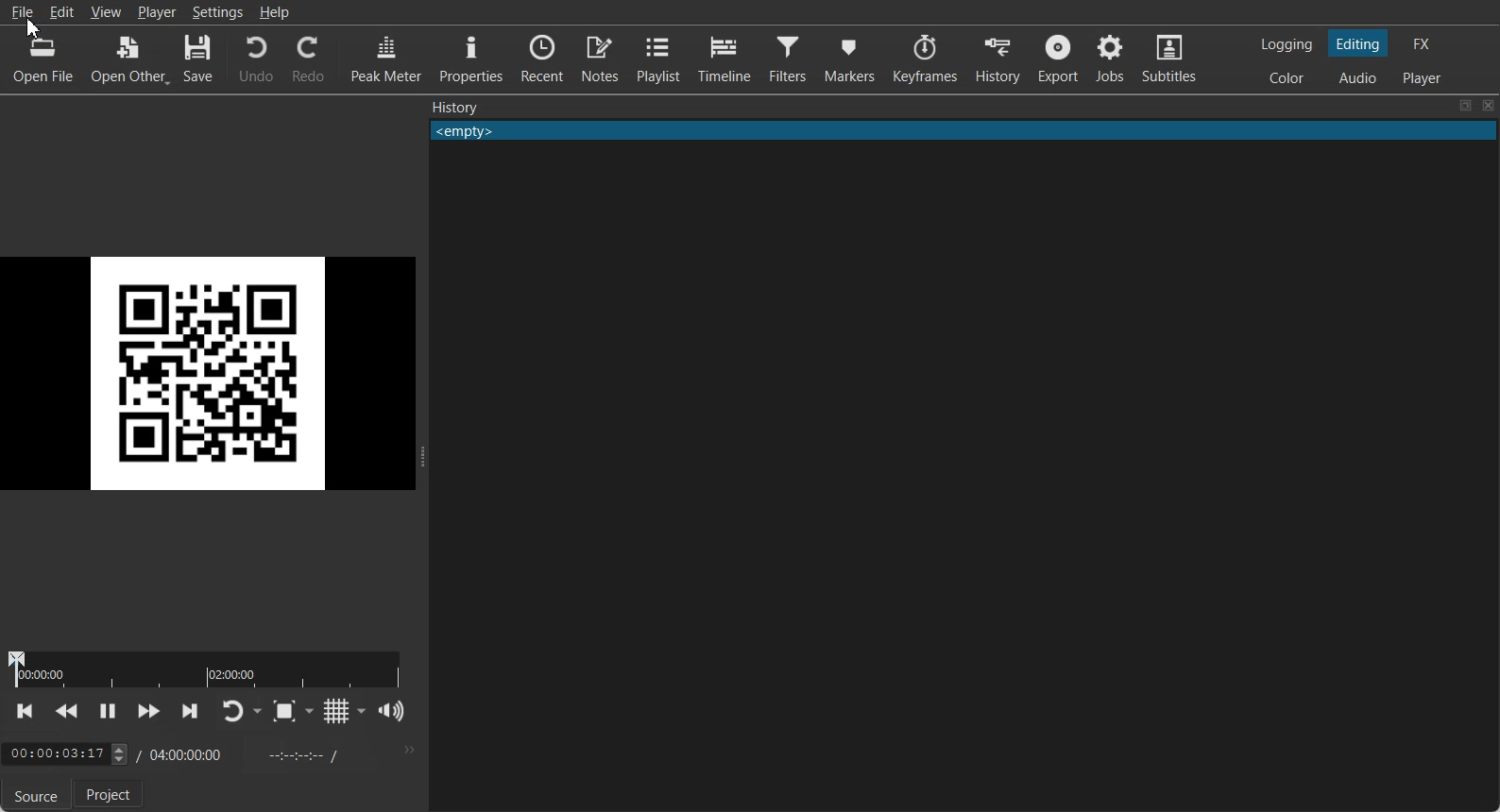 Image resolution: width=1500 pixels, height=812 pixels. I want to click on Recent, so click(542, 57).